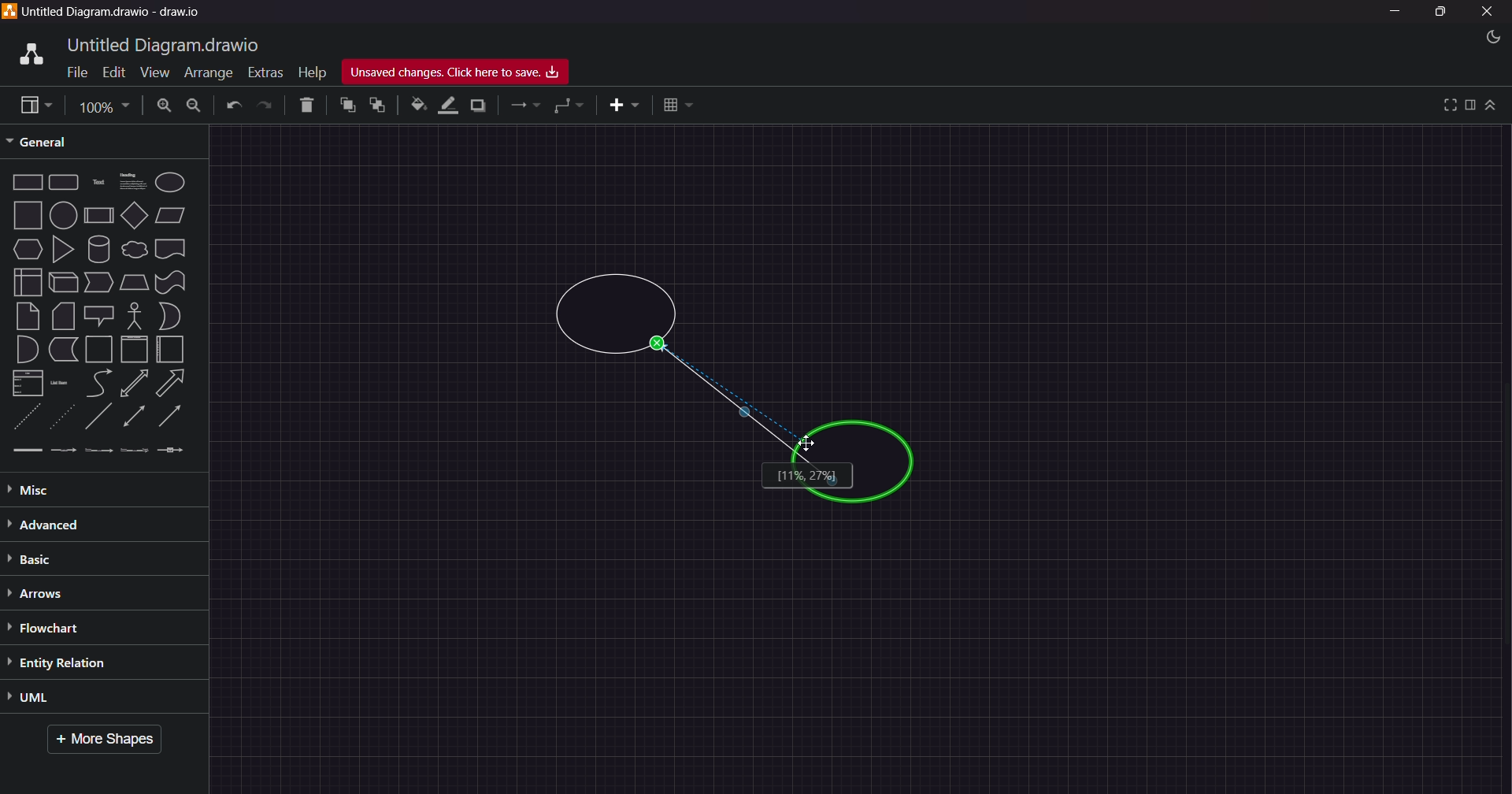 The width and height of the screenshot is (1512, 794). I want to click on collapse/expand, so click(1492, 106).